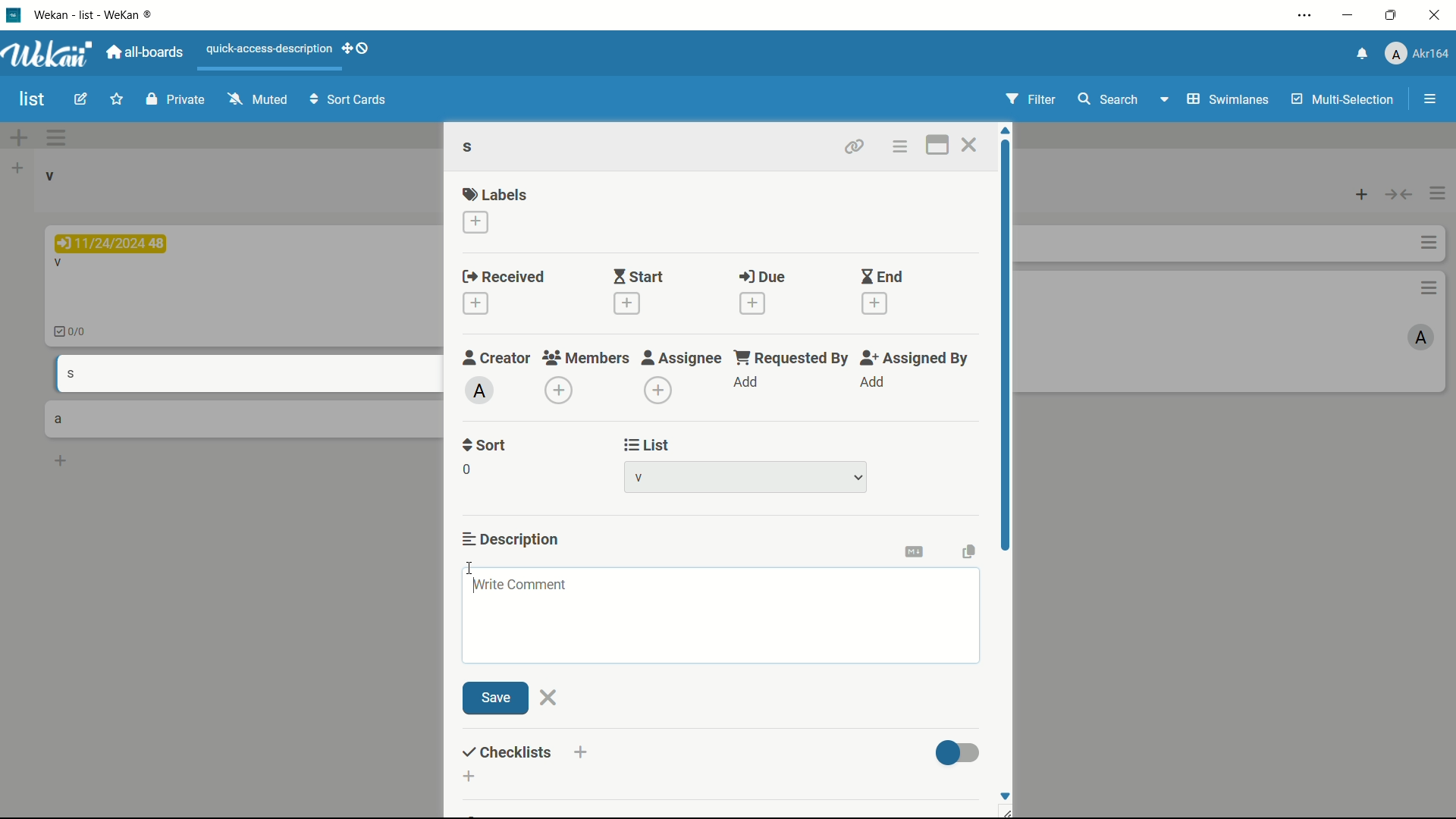 The height and width of the screenshot is (819, 1456). I want to click on add, so click(471, 777).